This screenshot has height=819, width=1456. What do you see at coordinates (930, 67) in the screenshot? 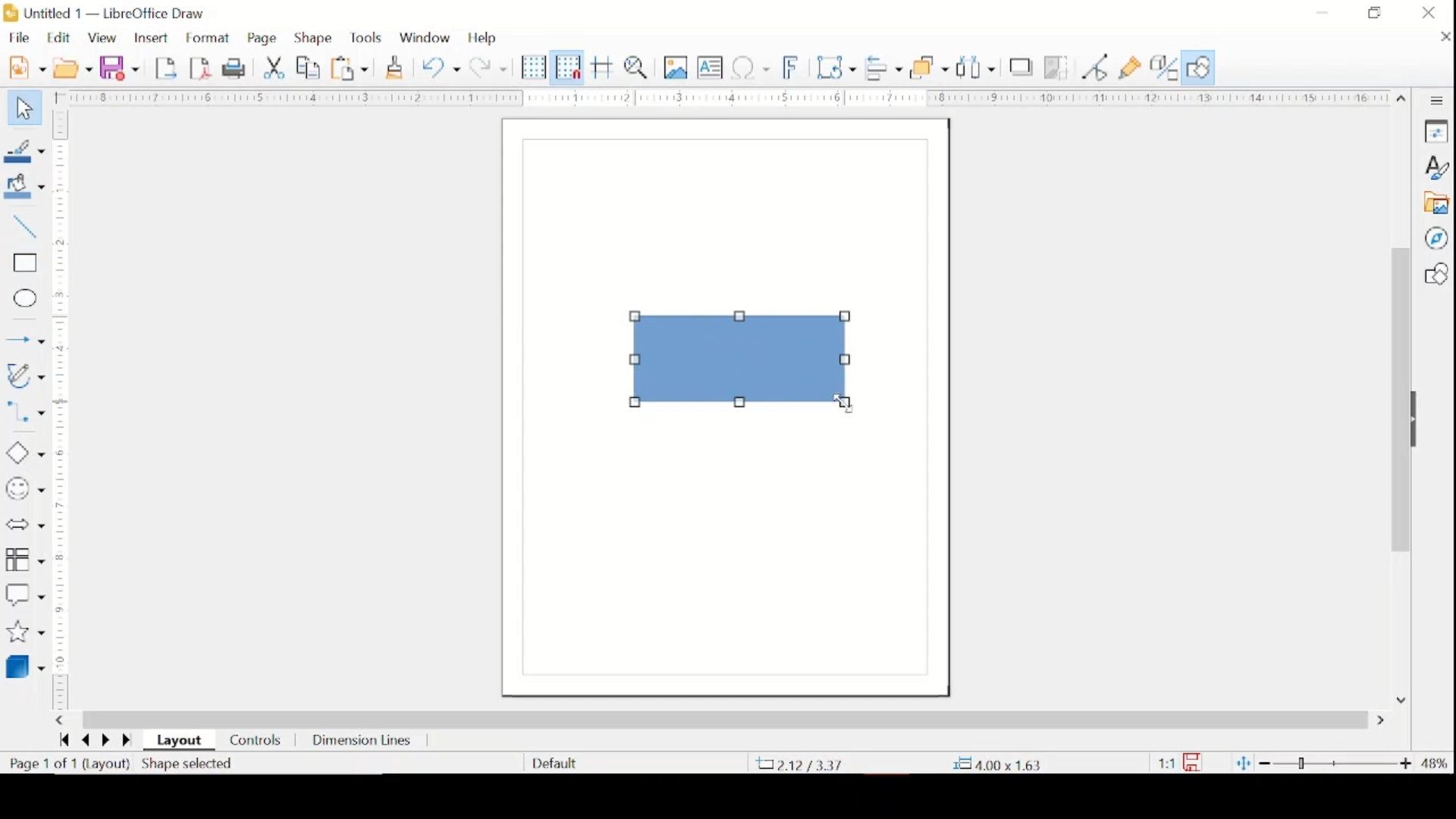
I see `arrange` at bounding box center [930, 67].